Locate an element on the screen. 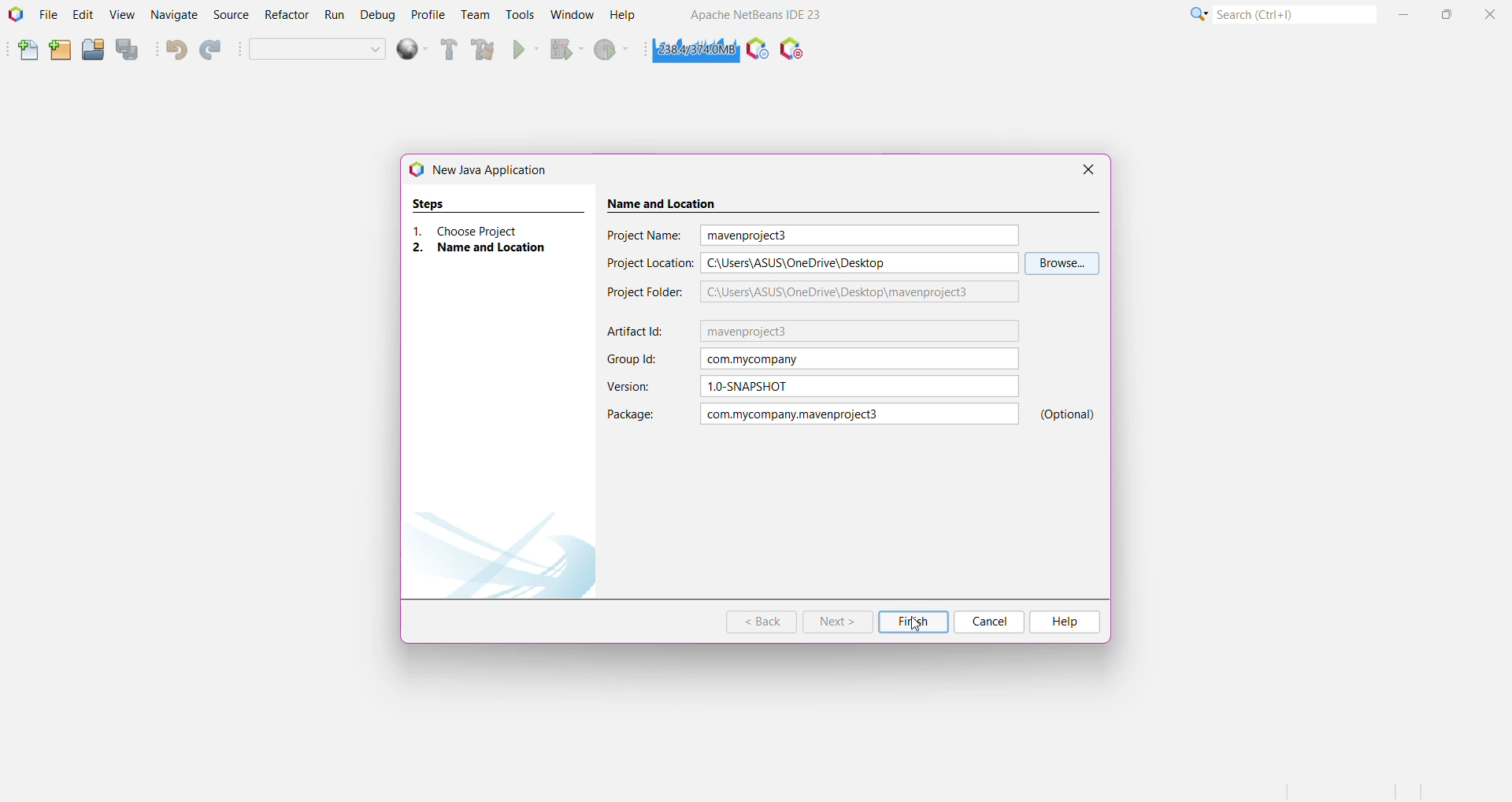  Set Project Name is located at coordinates (859, 236).